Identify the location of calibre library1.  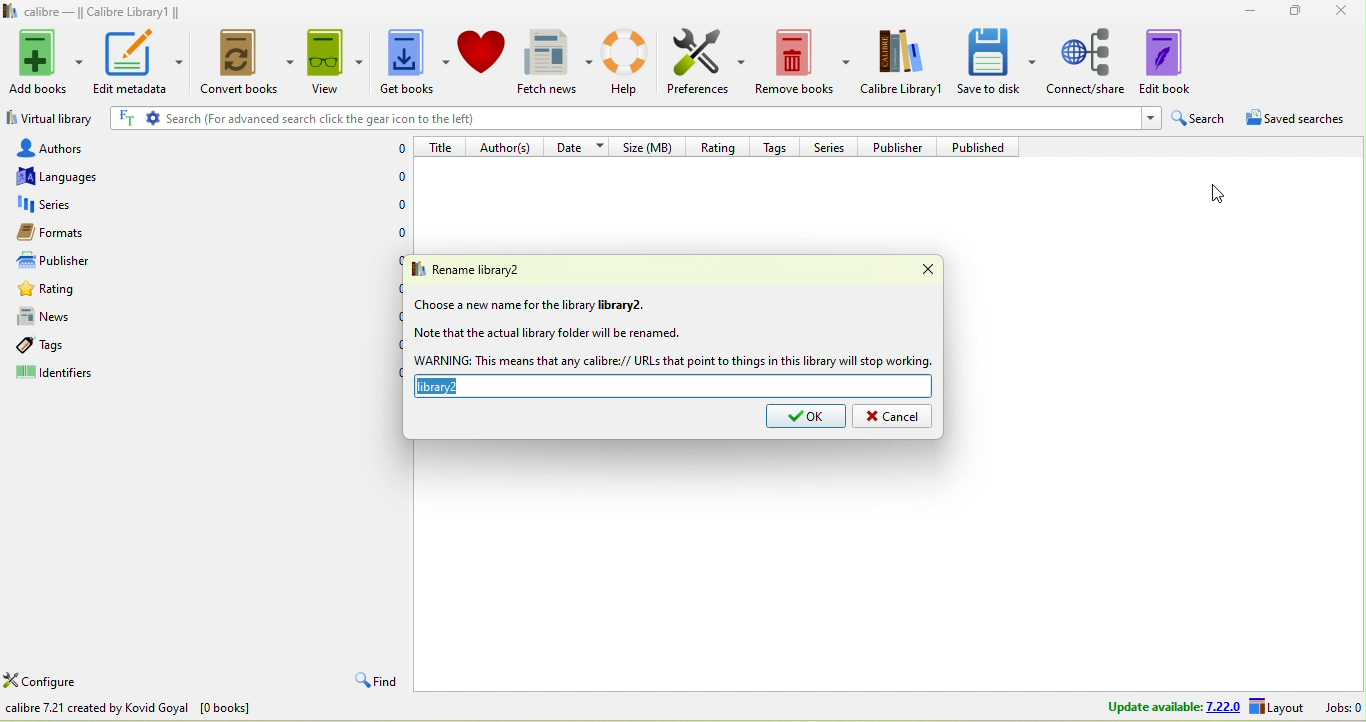
(904, 62).